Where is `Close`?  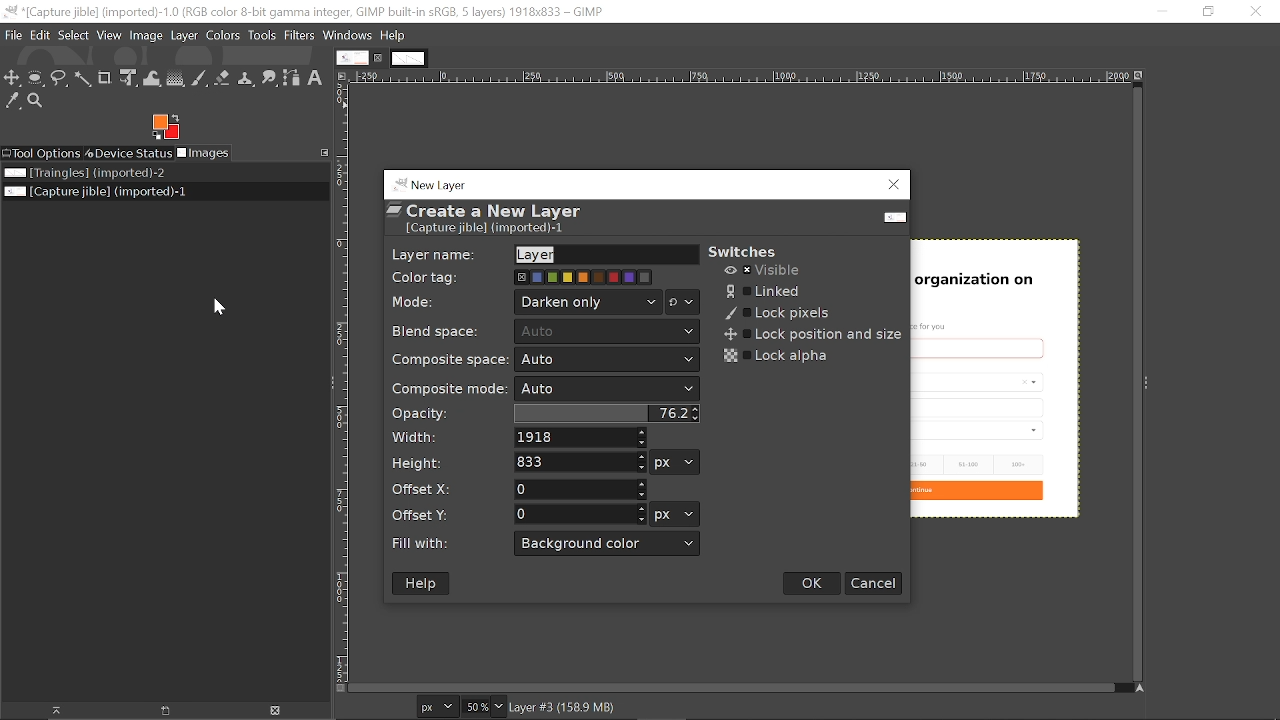
Close is located at coordinates (894, 186).